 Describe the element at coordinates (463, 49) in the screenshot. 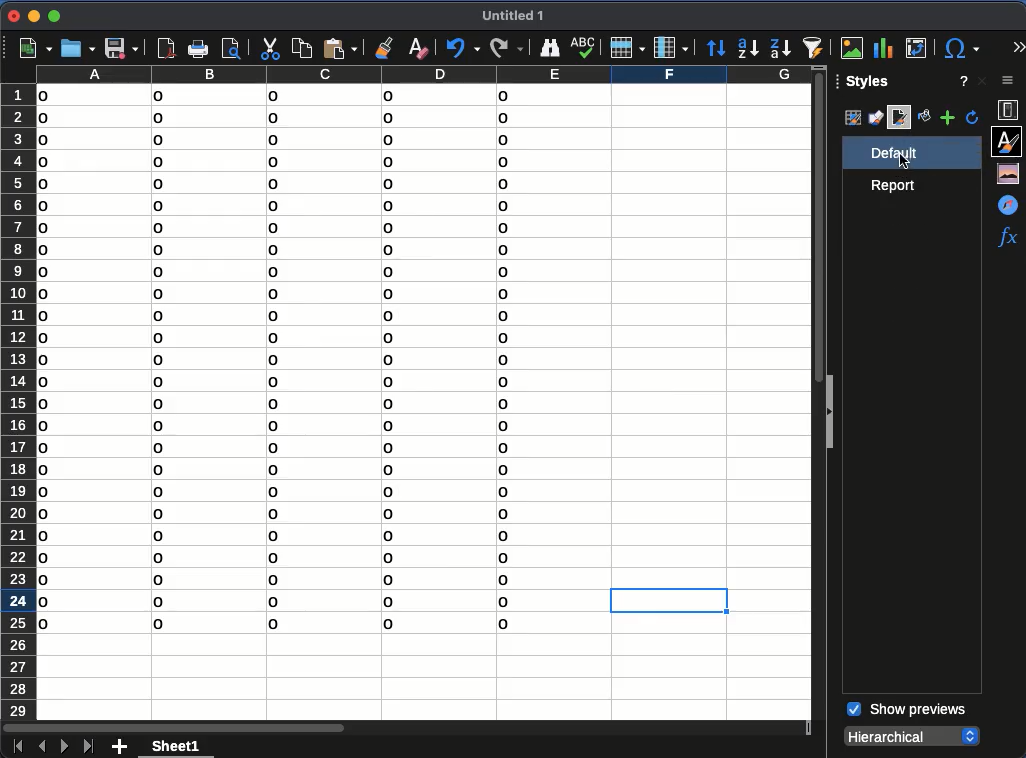

I see `undo` at that location.